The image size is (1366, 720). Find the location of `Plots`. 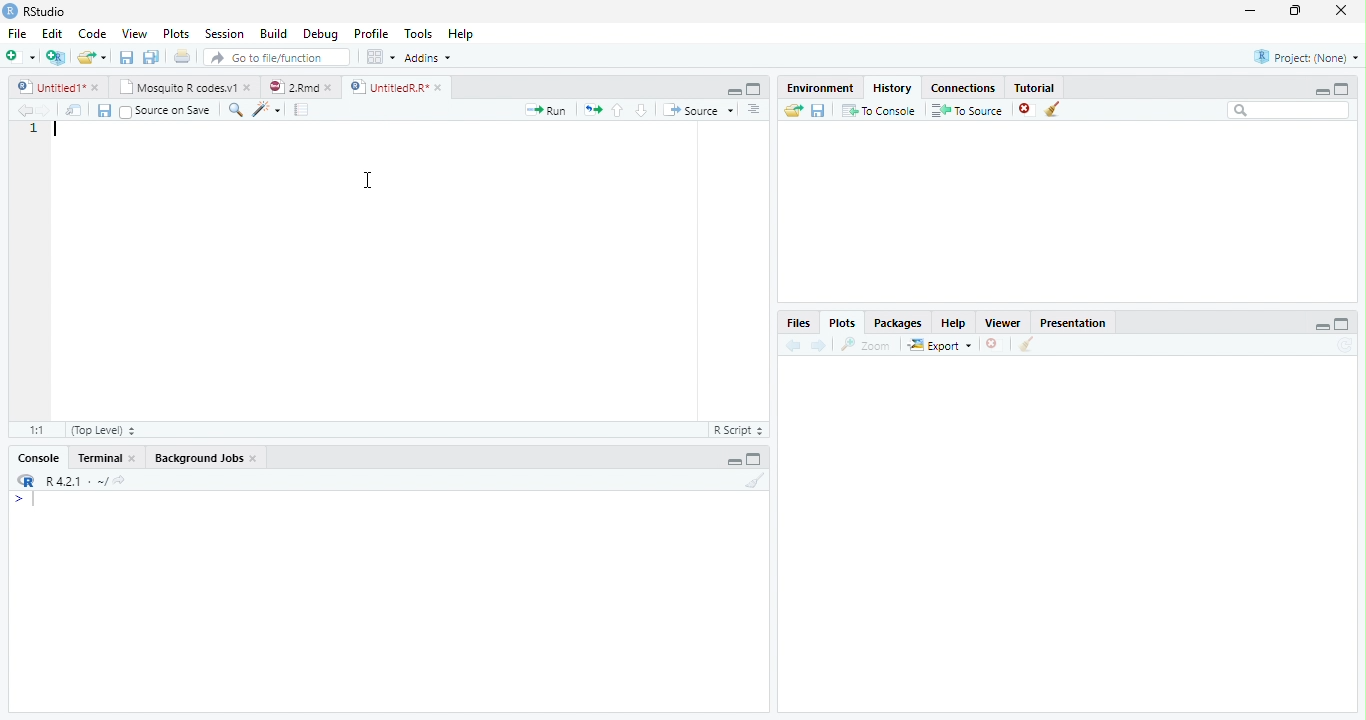

Plots is located at coordinates (841, 322).